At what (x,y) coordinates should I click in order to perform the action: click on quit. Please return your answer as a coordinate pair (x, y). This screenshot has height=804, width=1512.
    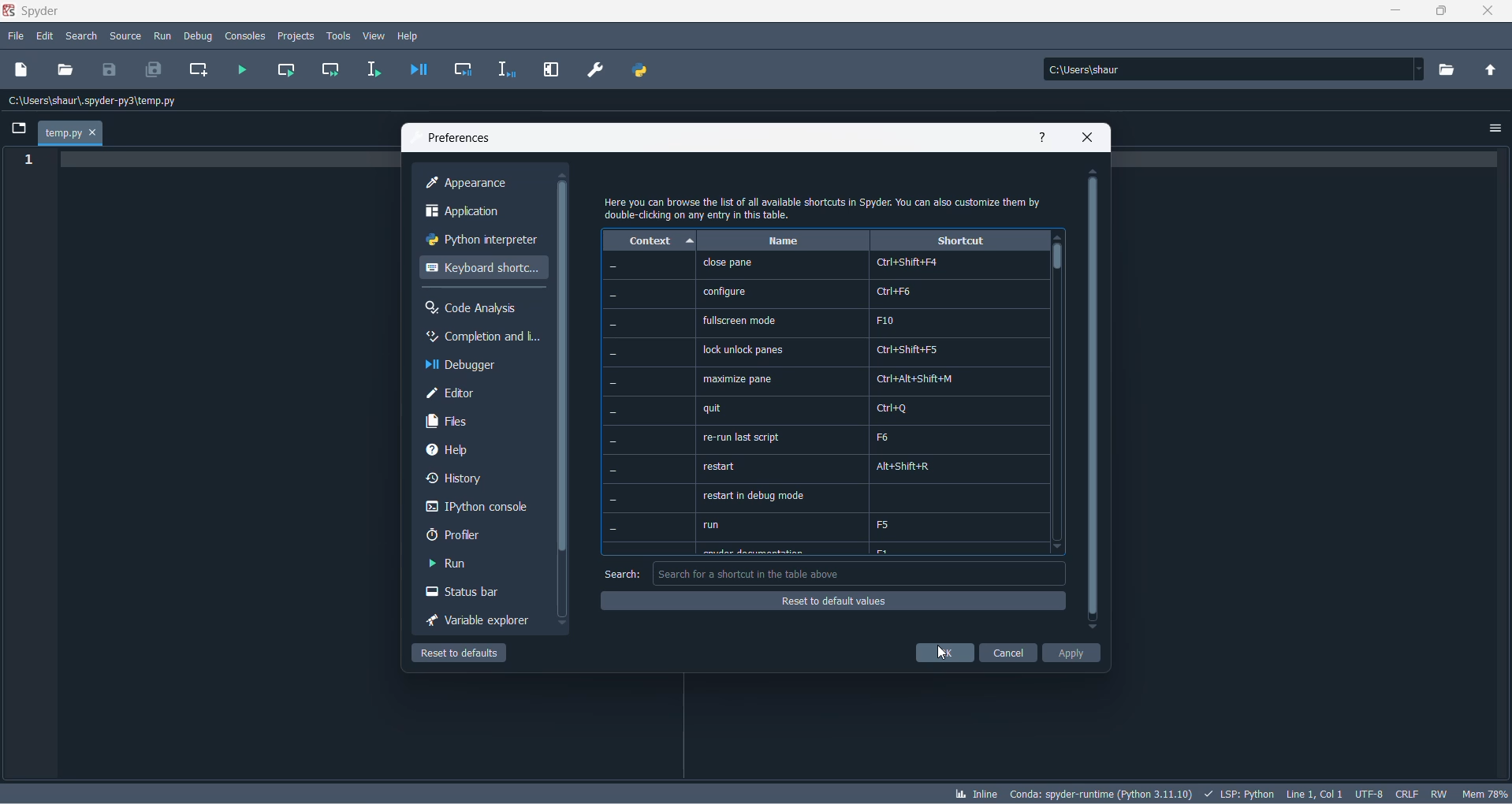
    Looking at the image, I should click on (713, 408).